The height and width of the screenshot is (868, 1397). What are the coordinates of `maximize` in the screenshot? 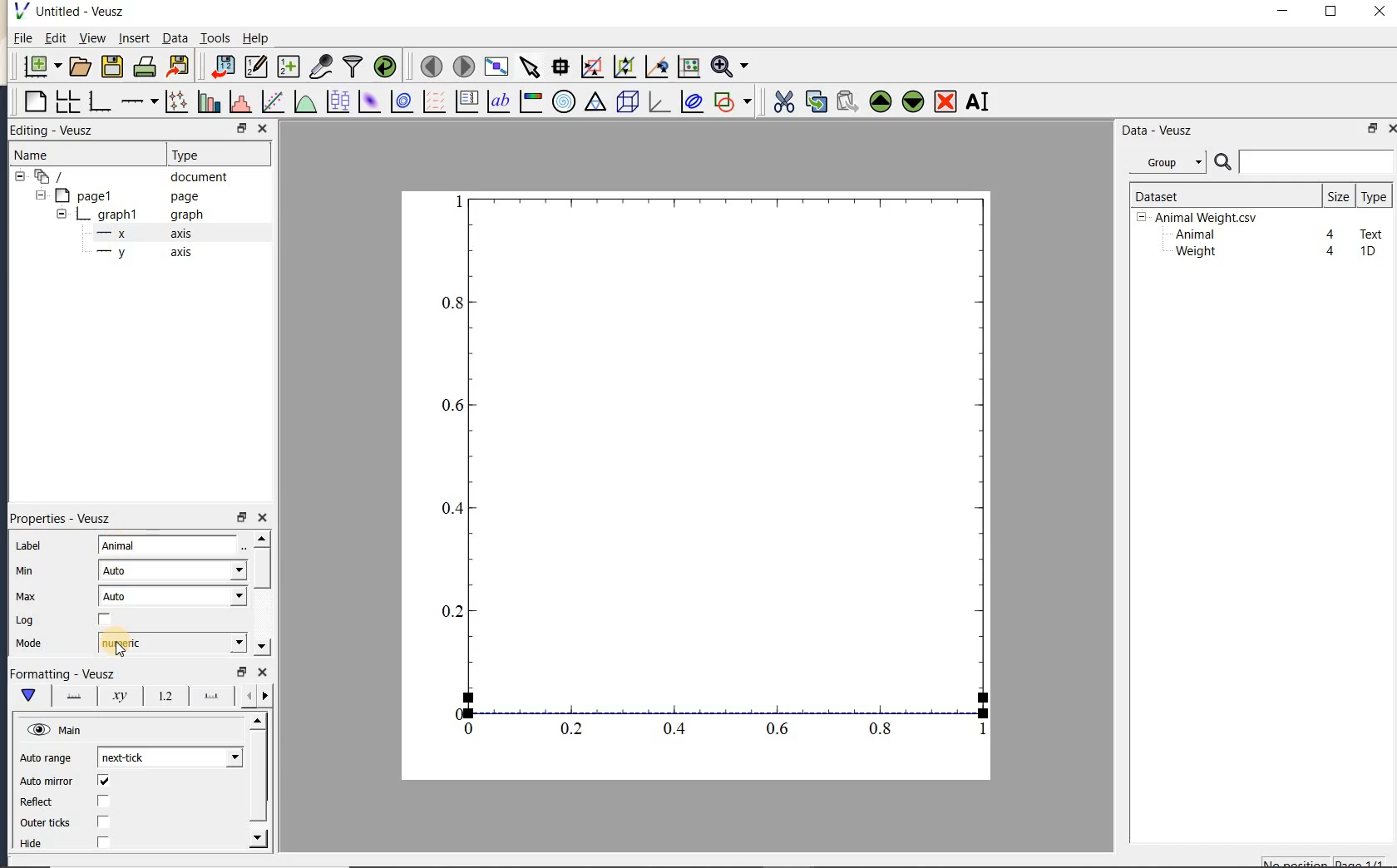 It's located at (1331, 12).